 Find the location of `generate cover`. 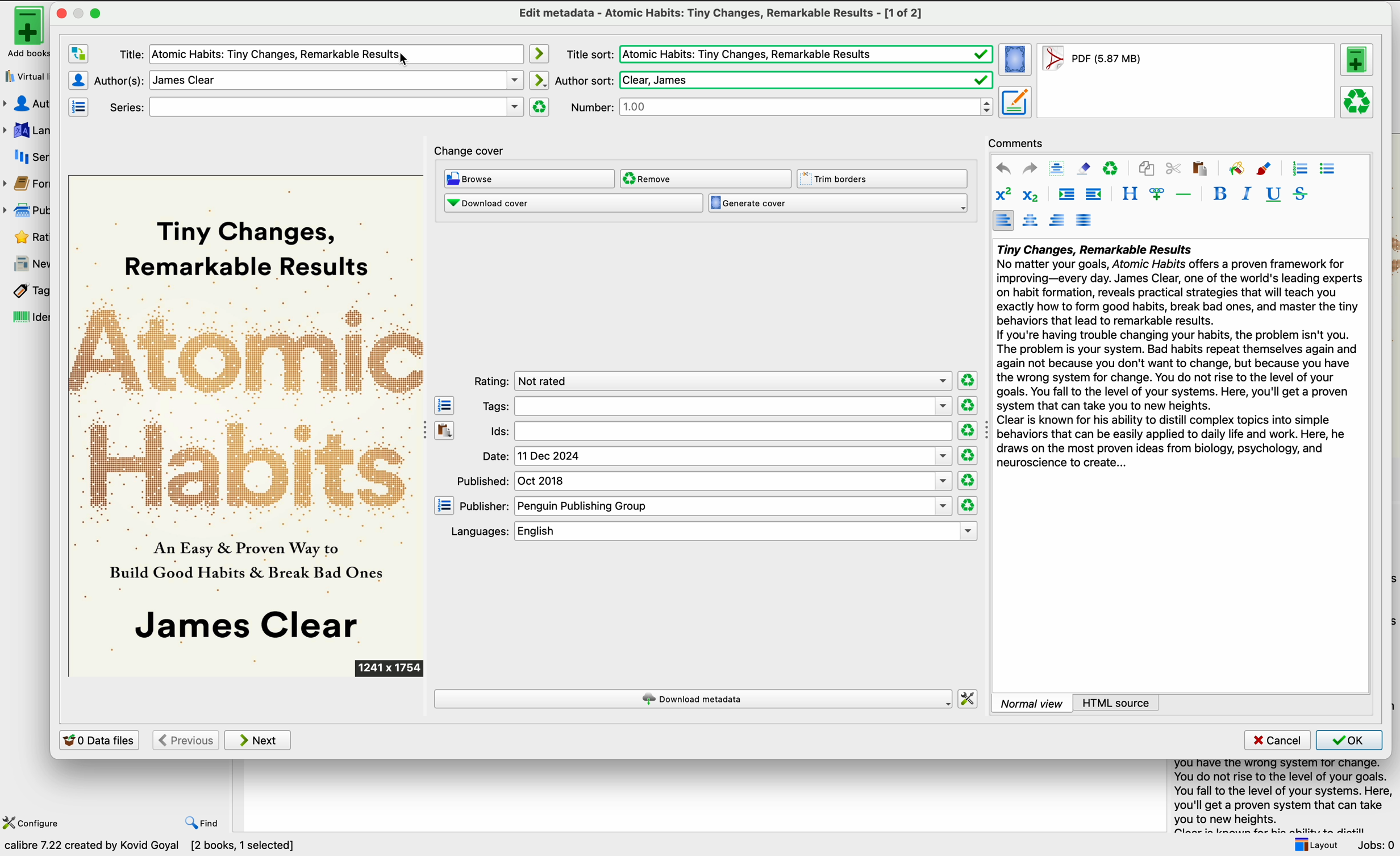

generate cover is located at coordinates (838, 203).